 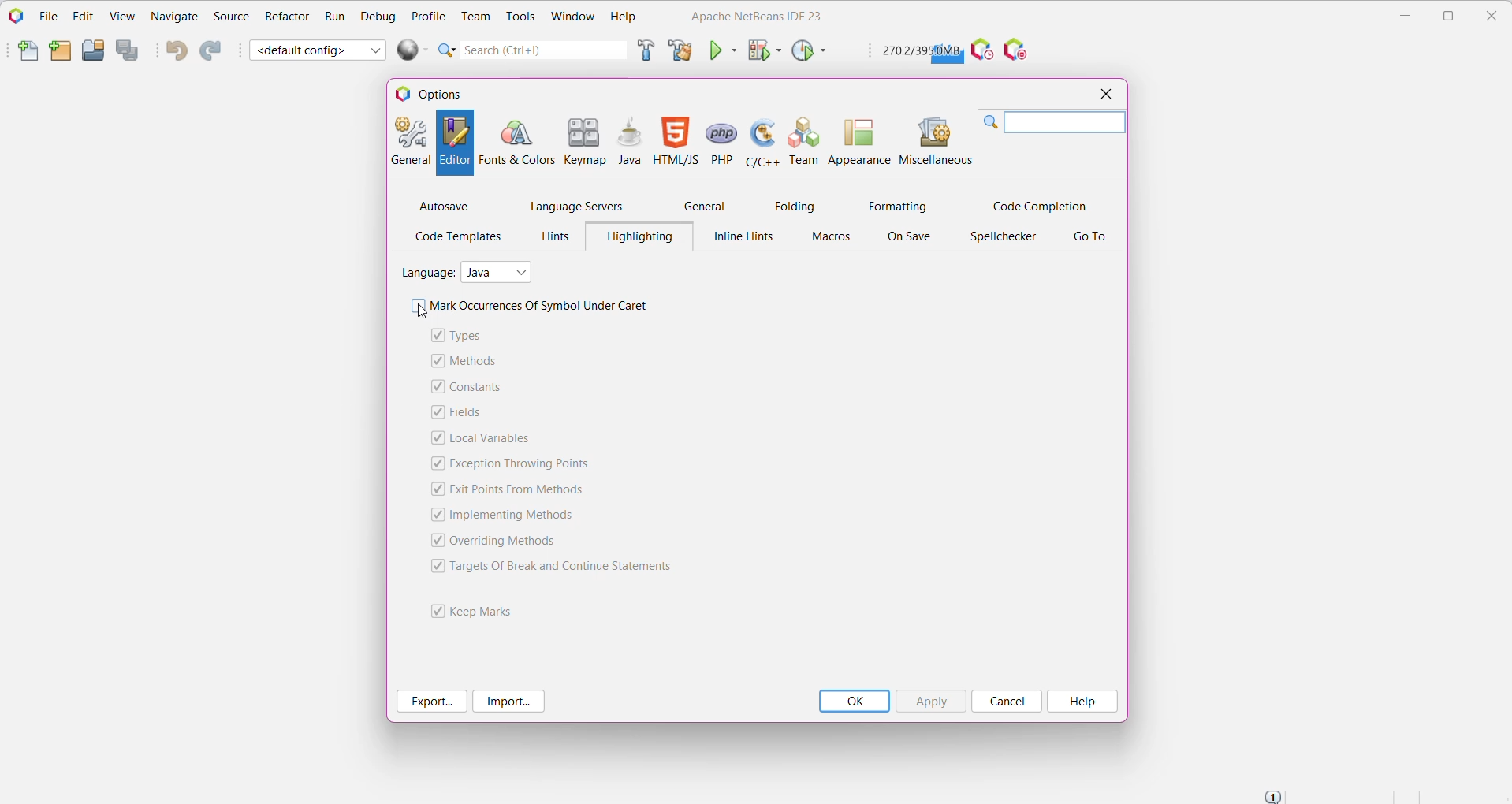 What do you see at coordinates (585, 140) in the screenshot?
I see `Keymap` at bounding box center [585, 140].